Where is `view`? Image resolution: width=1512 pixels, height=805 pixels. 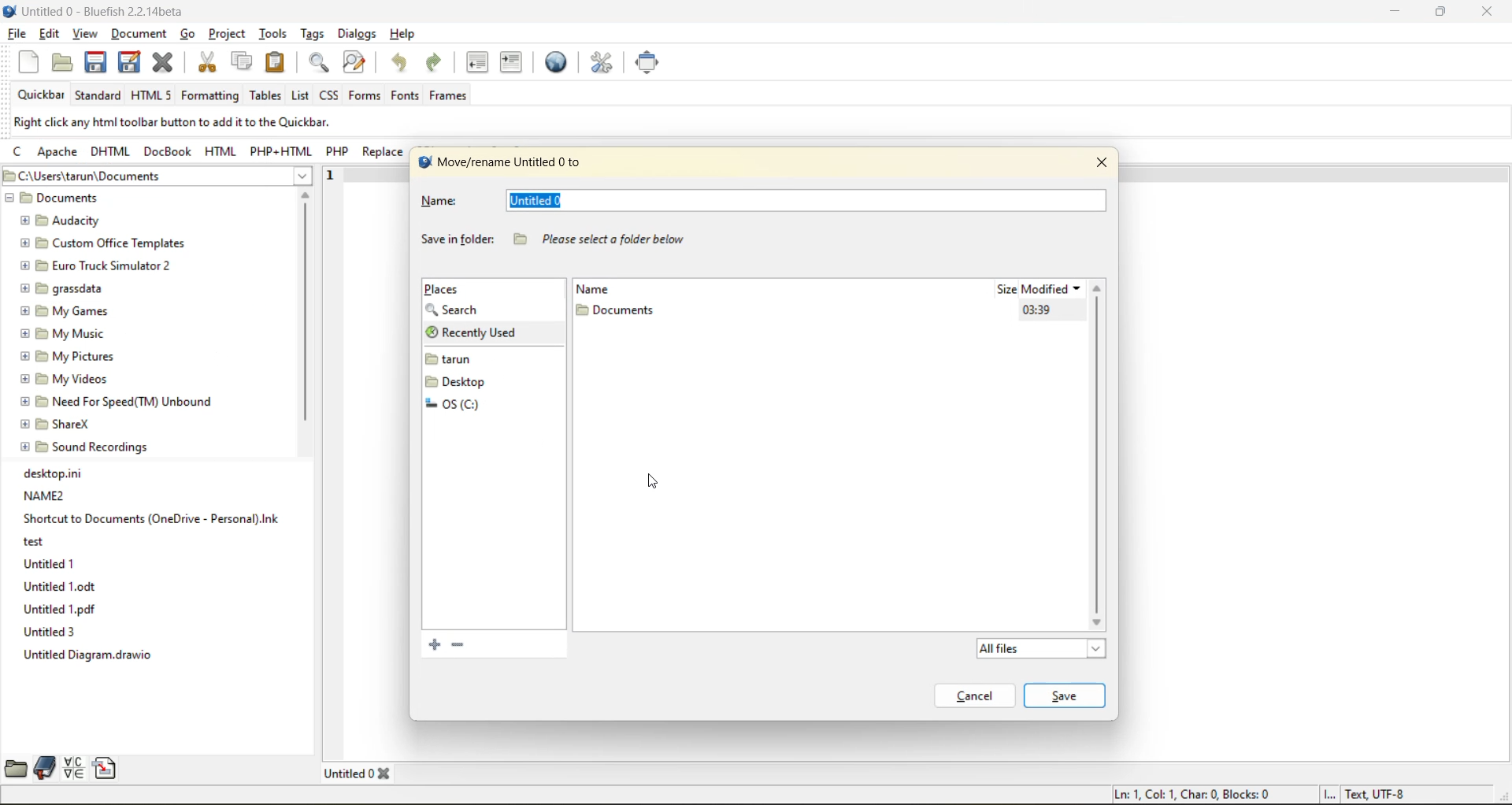 view is located at coordinates (83, 32).